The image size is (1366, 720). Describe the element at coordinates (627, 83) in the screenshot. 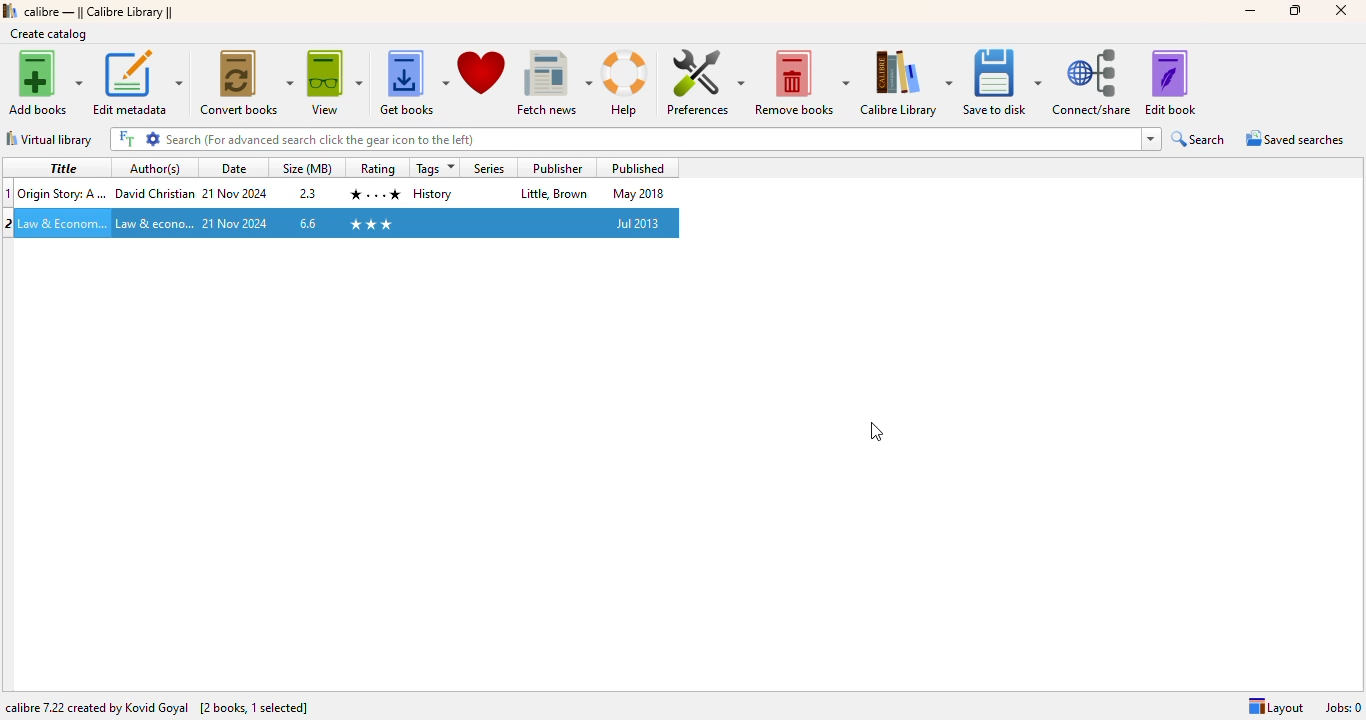

I see `help` at that location.